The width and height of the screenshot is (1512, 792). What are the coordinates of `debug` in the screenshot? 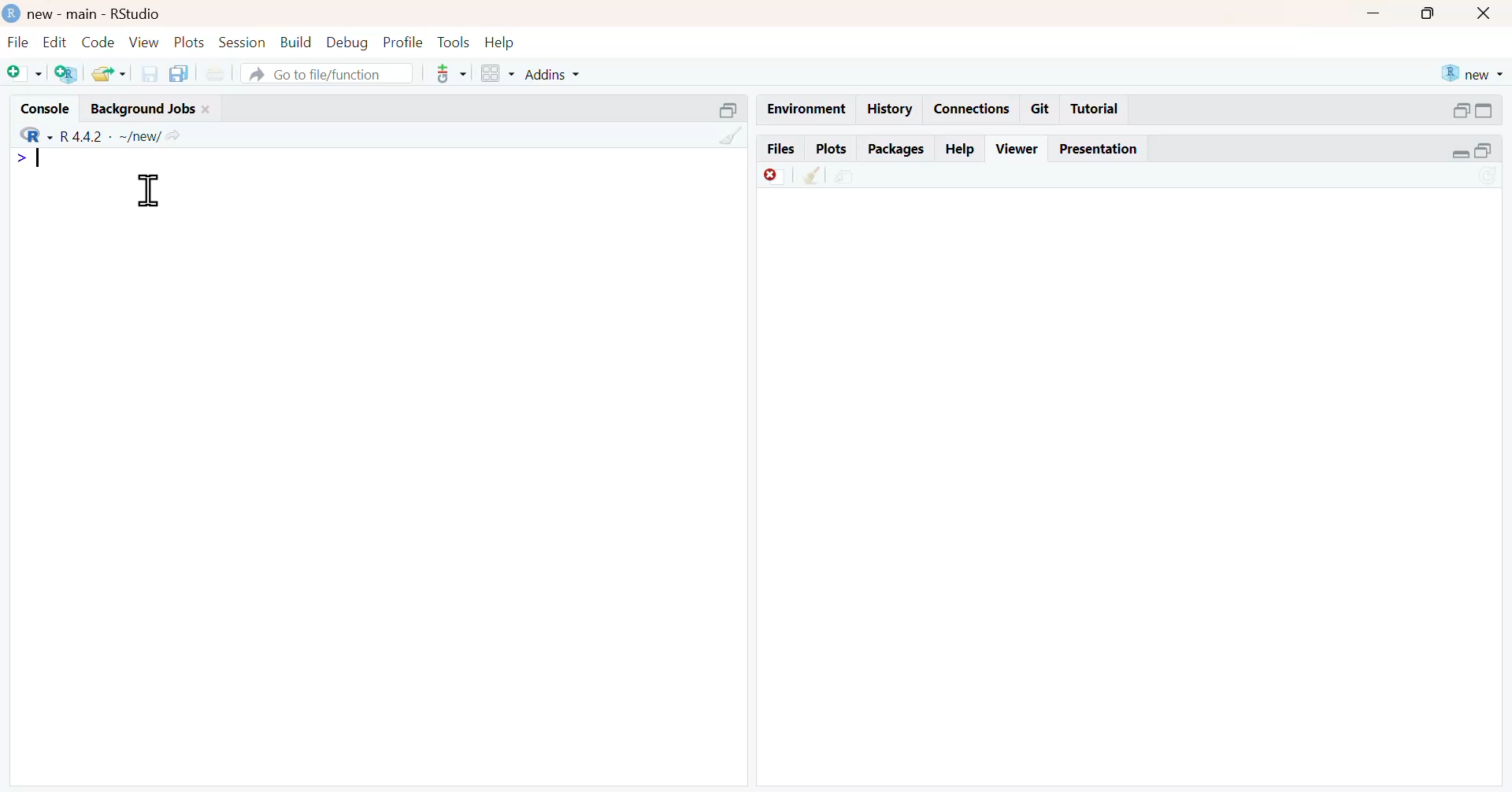 It's located at (347, 43).